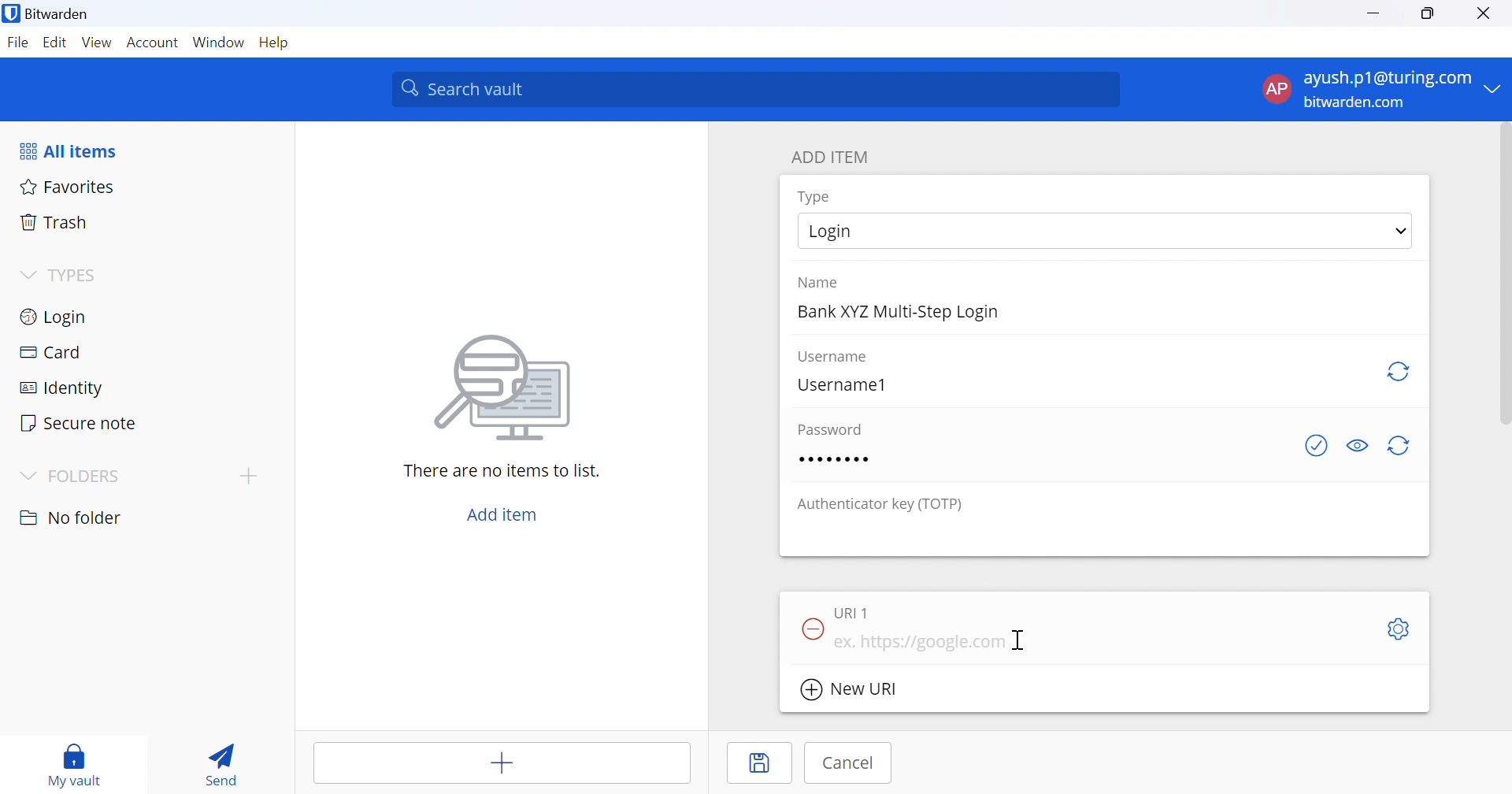 The image size is (1512, 794). Describe the element at coordinates (1401, 374) in the screenshot. I see `Regenerate username` at that location.